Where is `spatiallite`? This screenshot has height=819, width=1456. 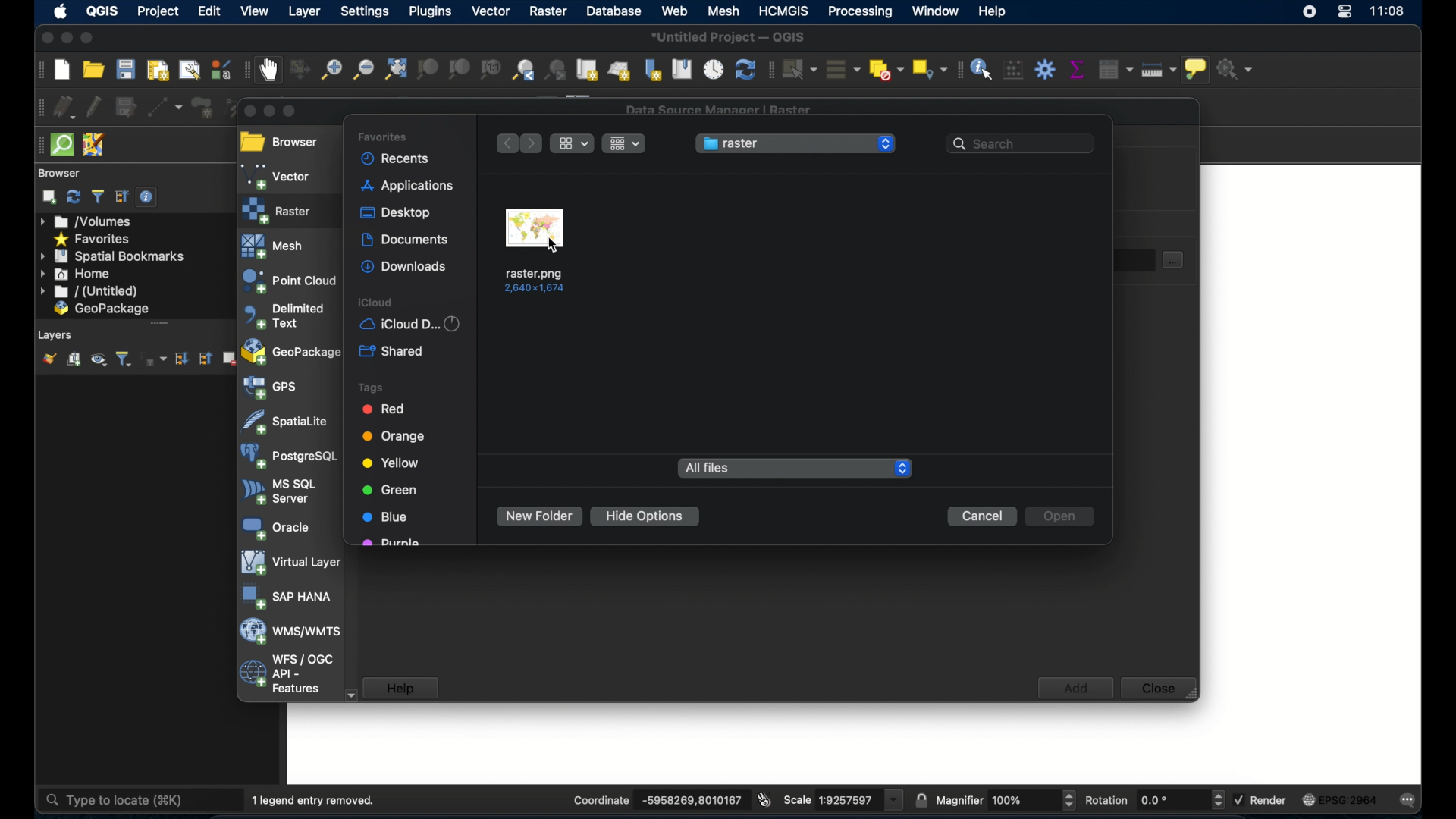 spatiallite is located at coordinates (284, 422).